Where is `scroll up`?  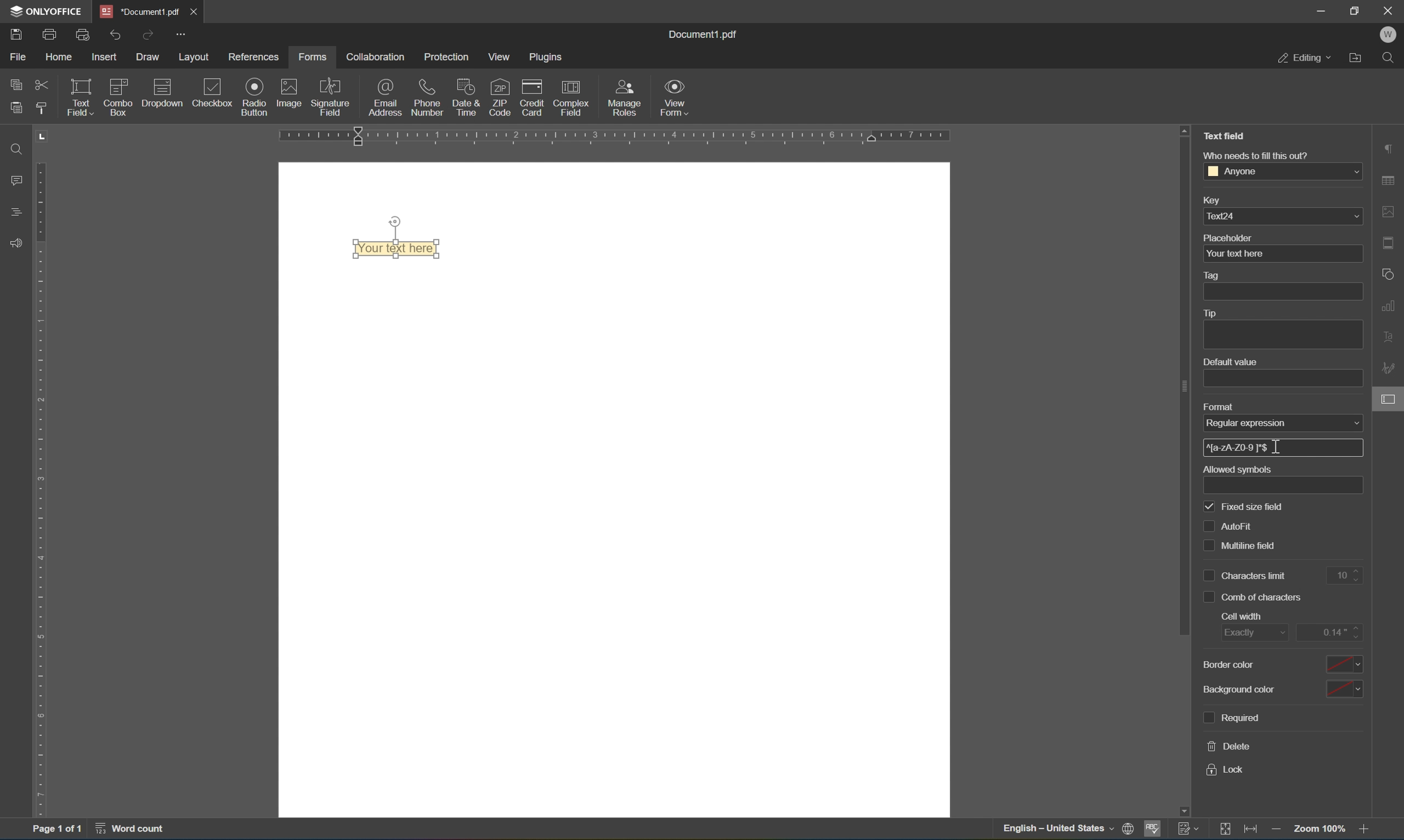
scroll up is located at coordinates (1184, 129).